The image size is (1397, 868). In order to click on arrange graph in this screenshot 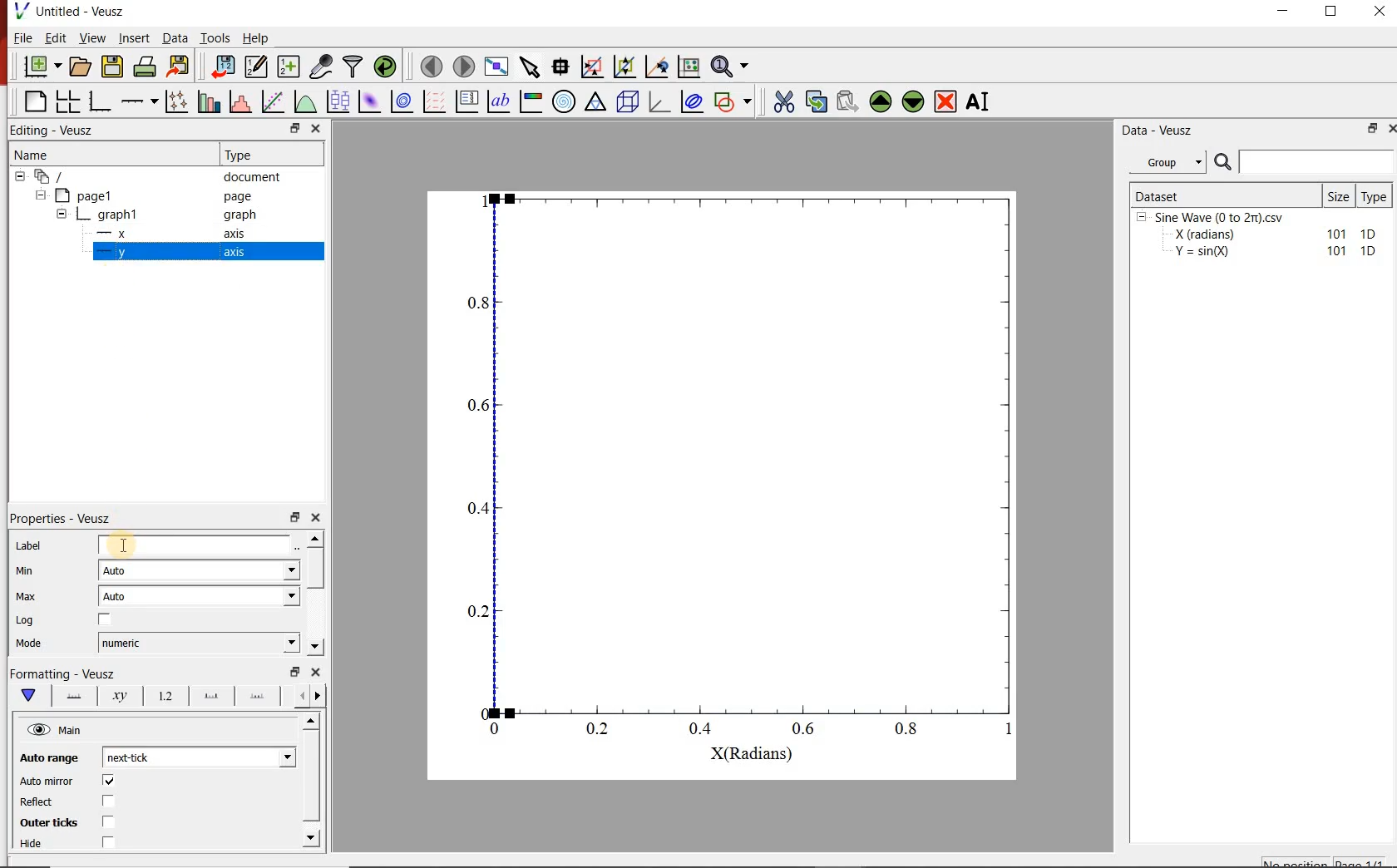, I will do `click(68, 101)`.